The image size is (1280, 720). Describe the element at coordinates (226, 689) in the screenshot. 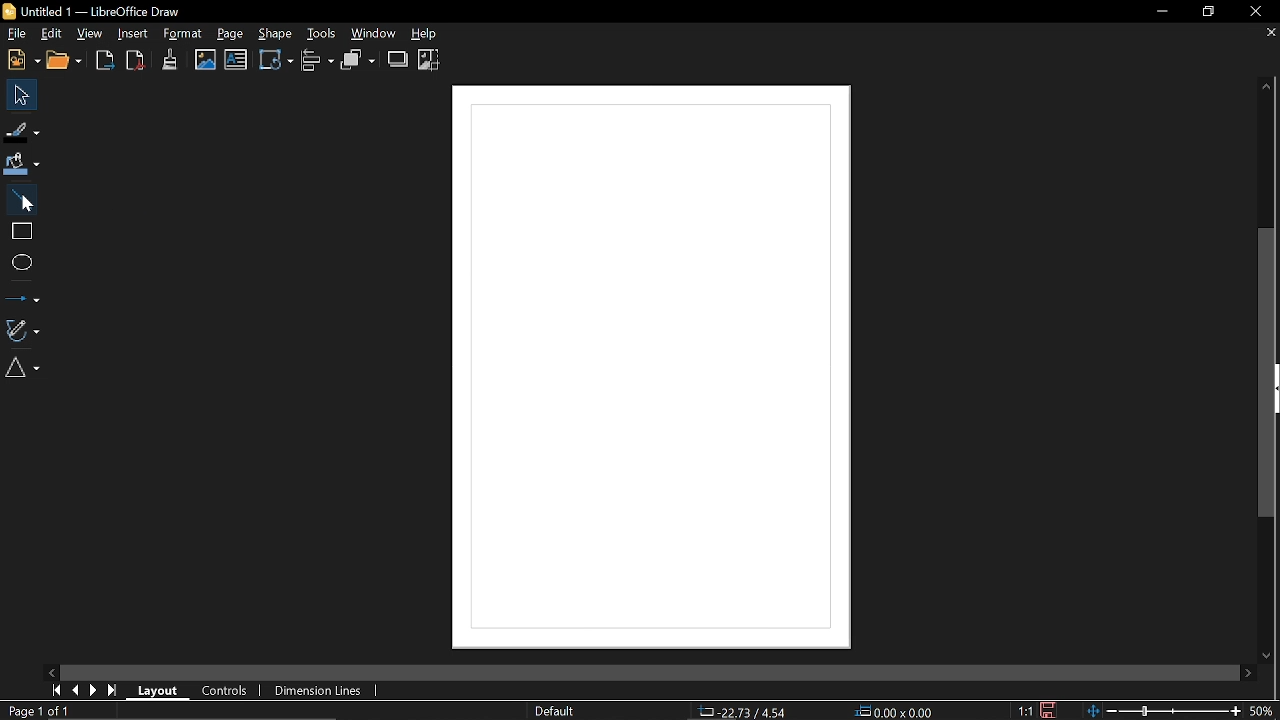

I see `COntrols` at that location.